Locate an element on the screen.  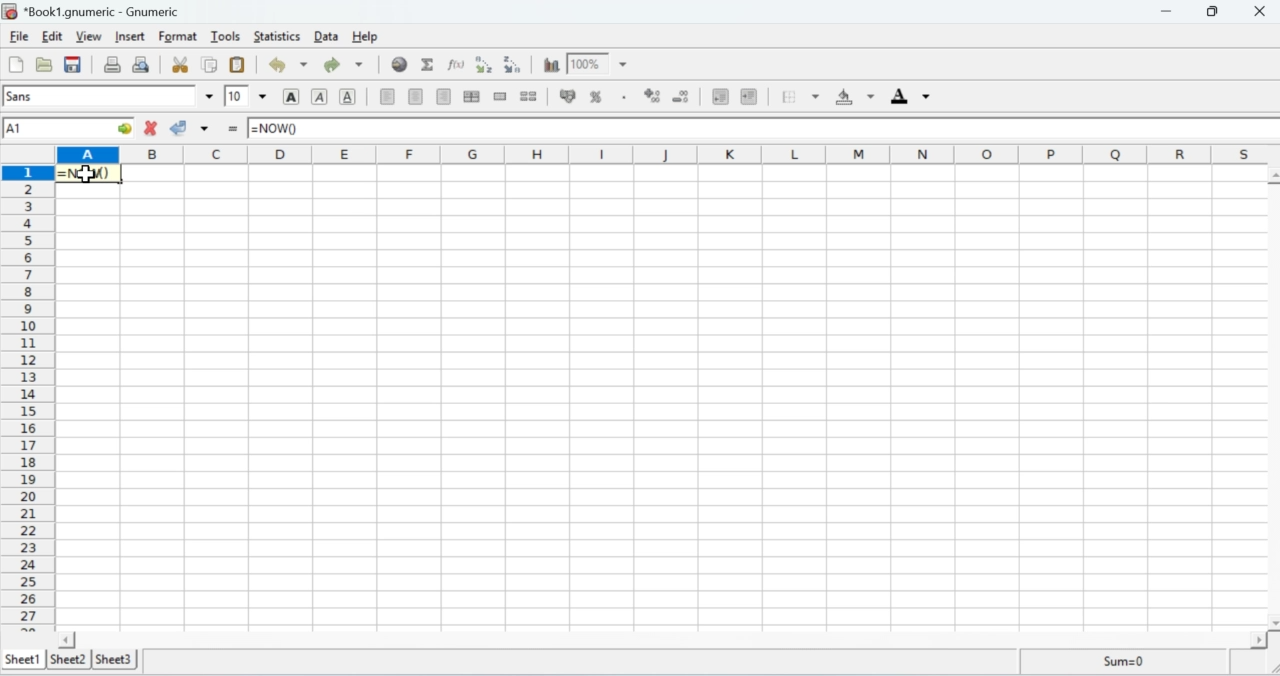
Sum=0 is located at coordinates (1136, 662).